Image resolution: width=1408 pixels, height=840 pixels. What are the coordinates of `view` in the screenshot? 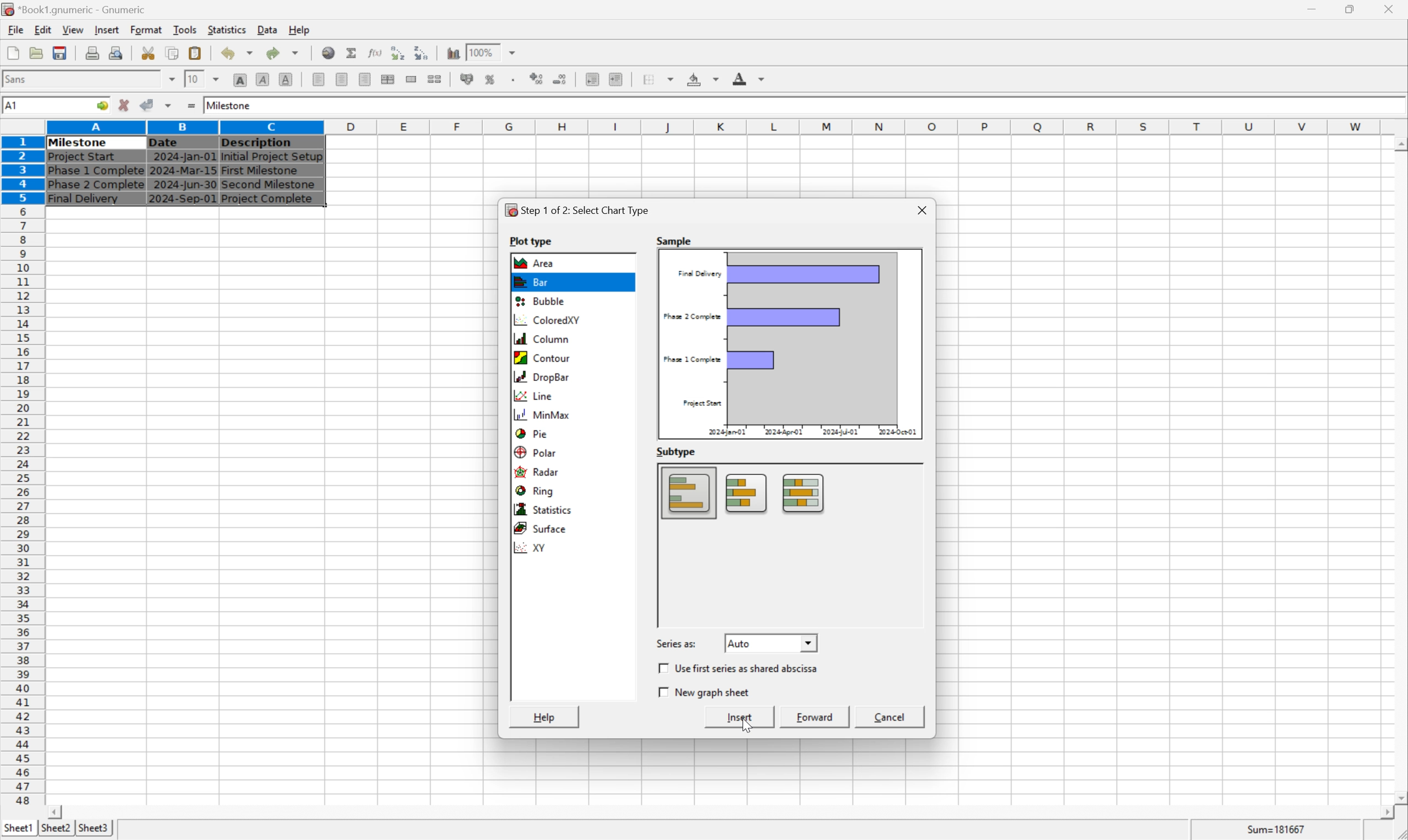 It's located at (72, 30).